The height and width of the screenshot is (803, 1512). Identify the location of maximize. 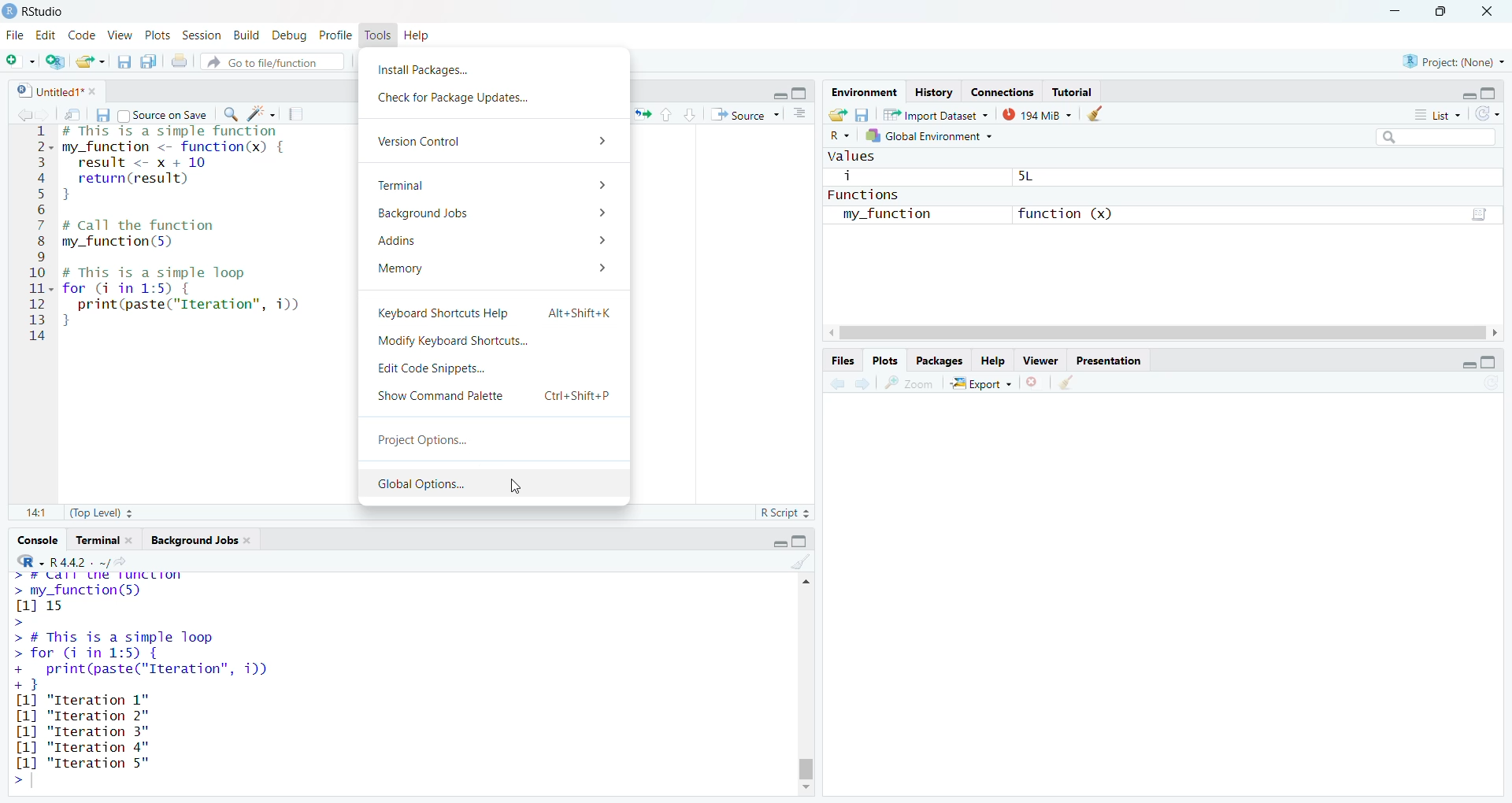
(803, 542).